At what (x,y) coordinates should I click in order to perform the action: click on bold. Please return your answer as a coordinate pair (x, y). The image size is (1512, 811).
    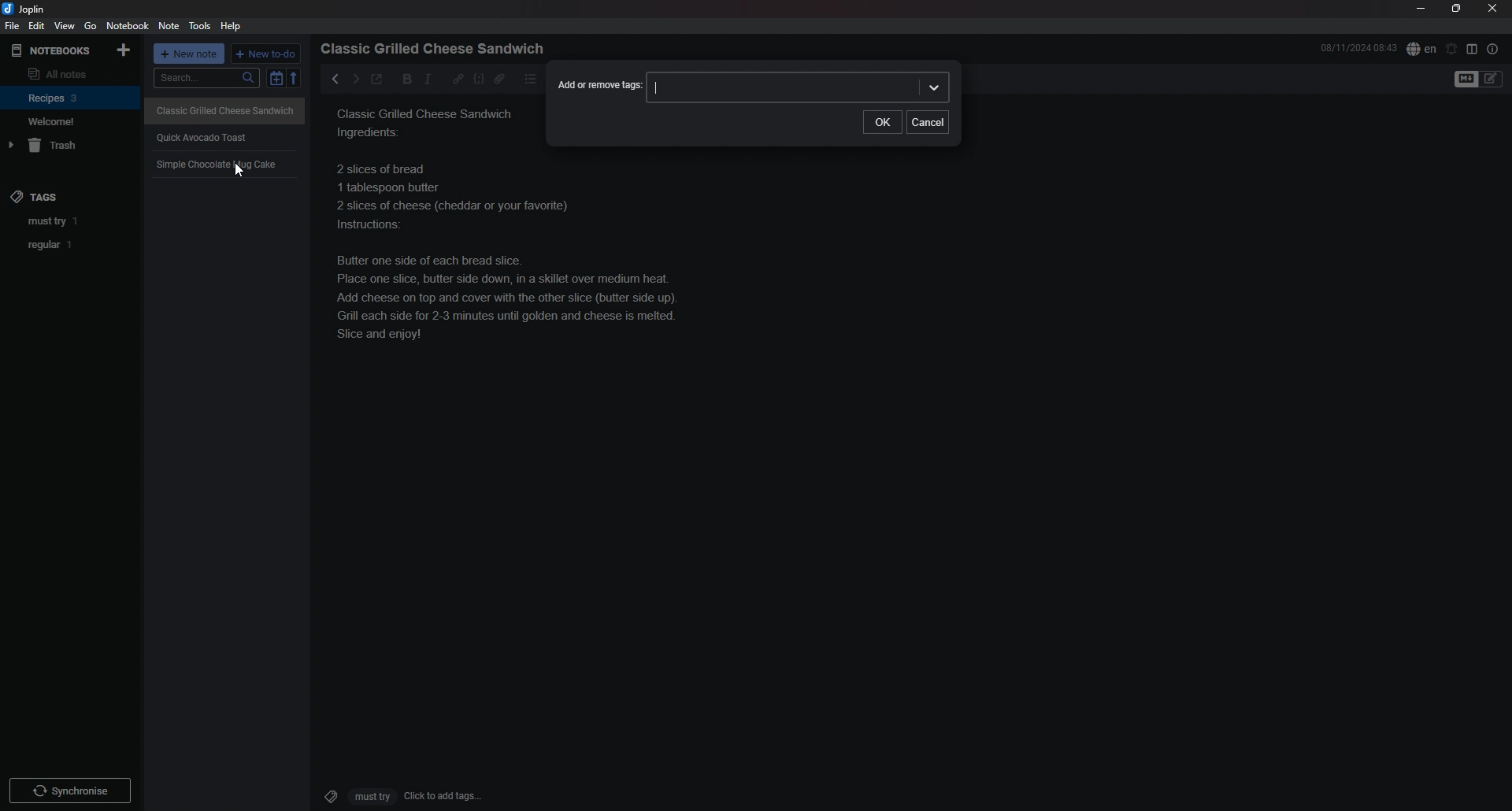
    Looking at the image, I should click on (402, 80).